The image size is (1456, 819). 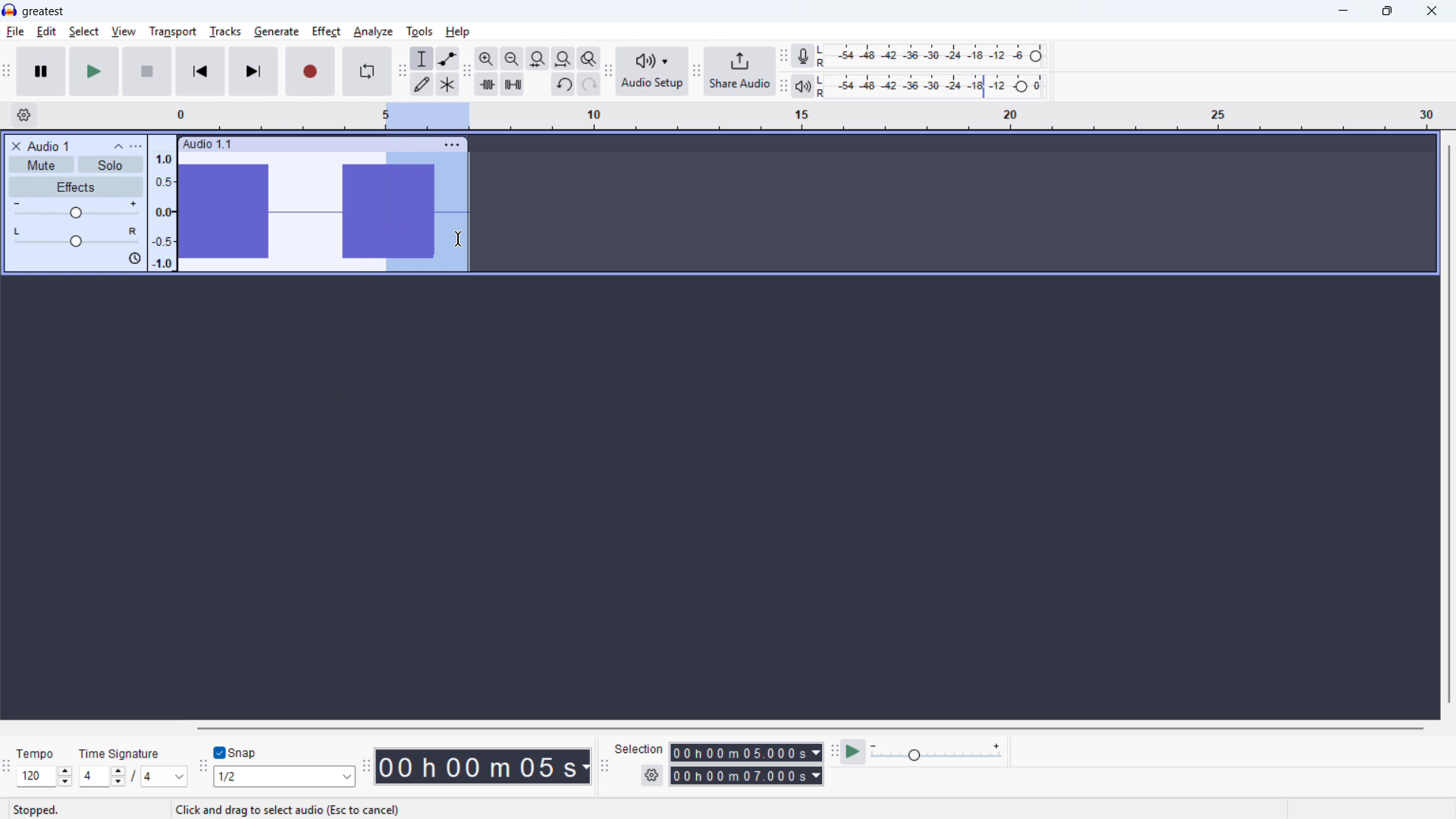 I want to click on Timestamp , so click(x=485, y=767).